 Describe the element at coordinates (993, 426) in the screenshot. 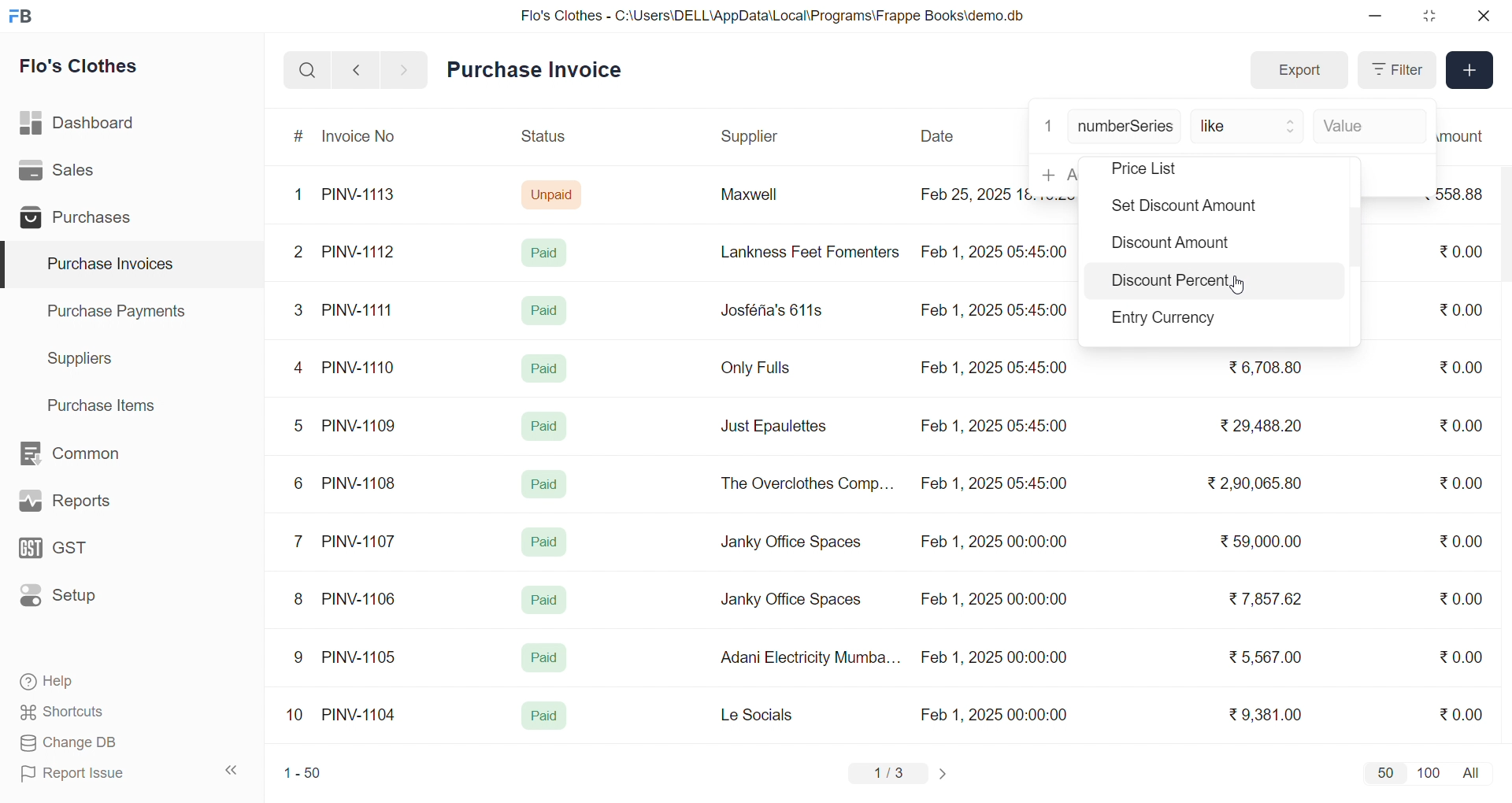

I see `Feb 1, 2025 05:45:00` at that location.